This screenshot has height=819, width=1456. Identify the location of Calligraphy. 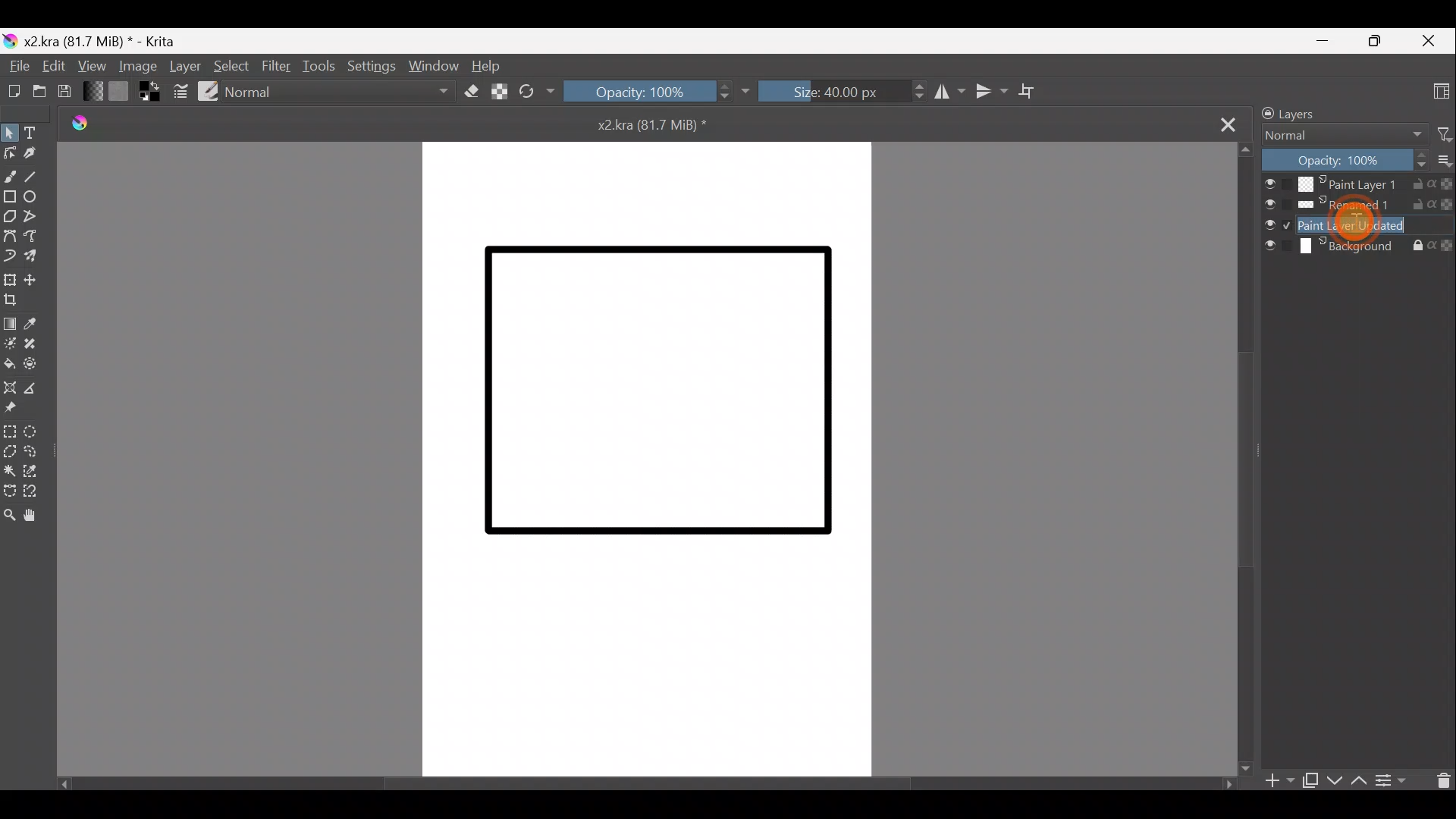
(33, 152).